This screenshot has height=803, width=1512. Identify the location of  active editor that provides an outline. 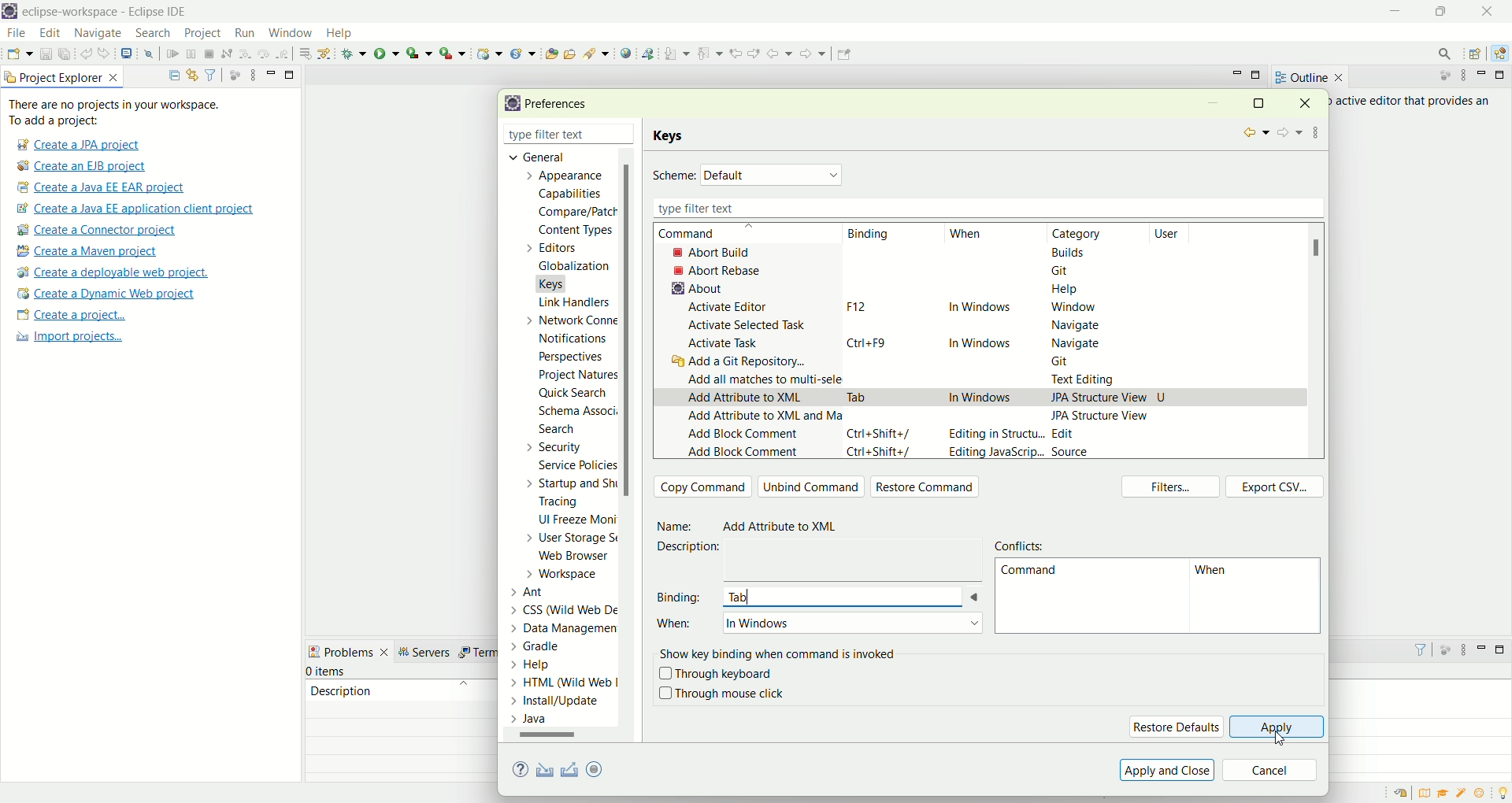
(1414, 102).